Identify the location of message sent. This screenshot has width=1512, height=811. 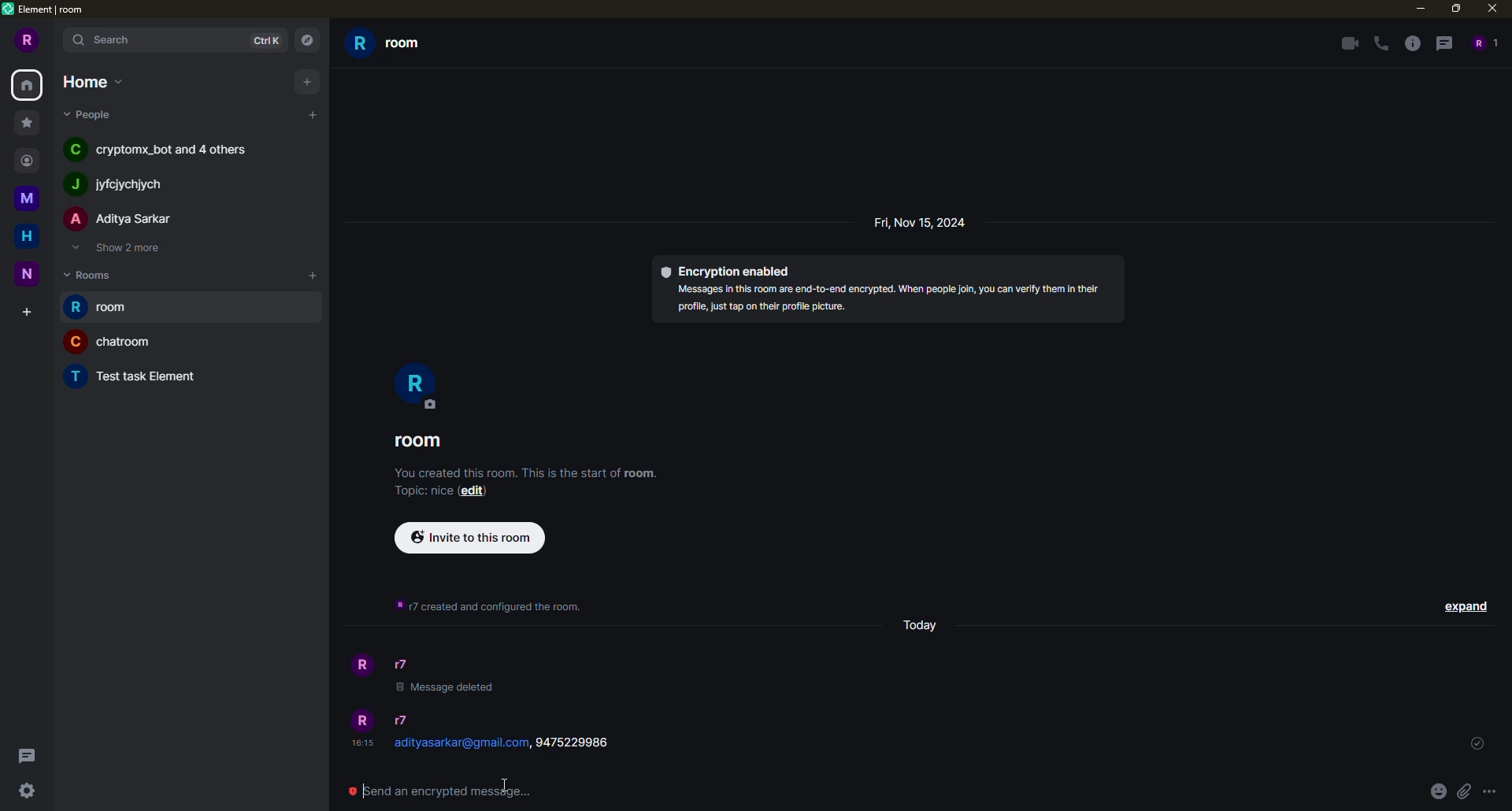
(516, 746).